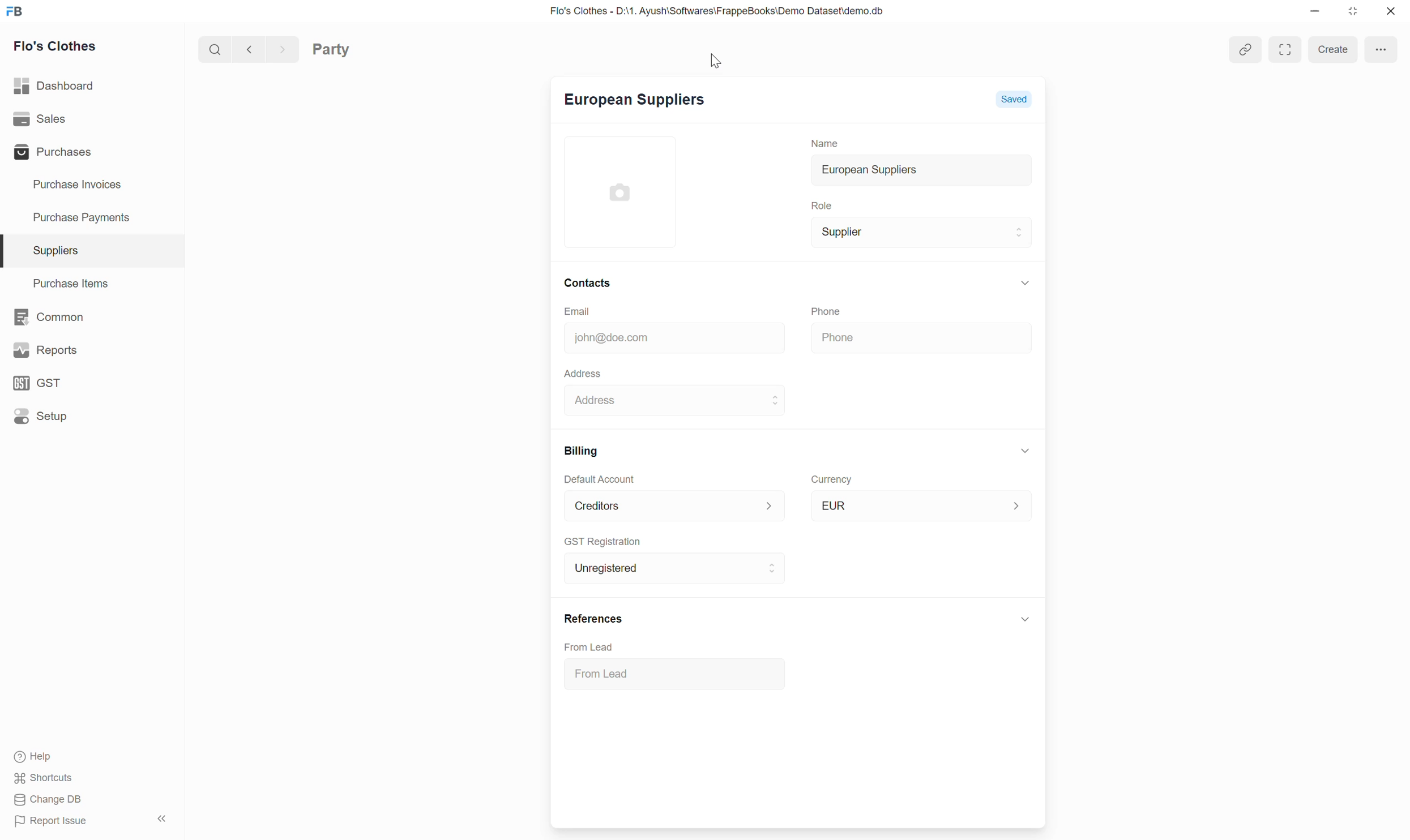 The image size is (1410, 840). Describe the element at coordinates (75, 185) in the screenshot. I see `purchase invoices` at that location.